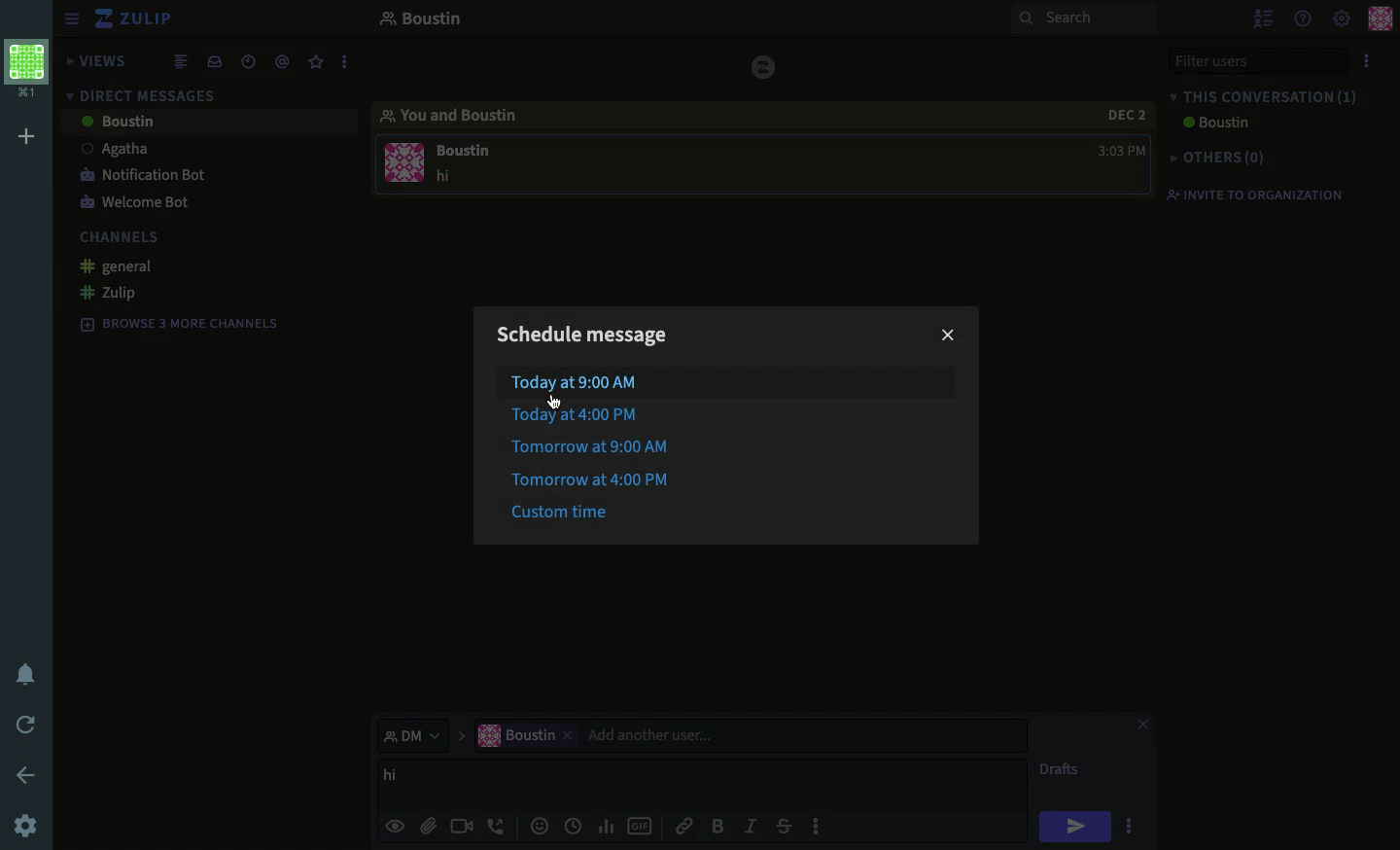 The image size is (1400, 850). Describe the element at coordinates (157, 95) in the screenshot. I see `direct messages` at that location.